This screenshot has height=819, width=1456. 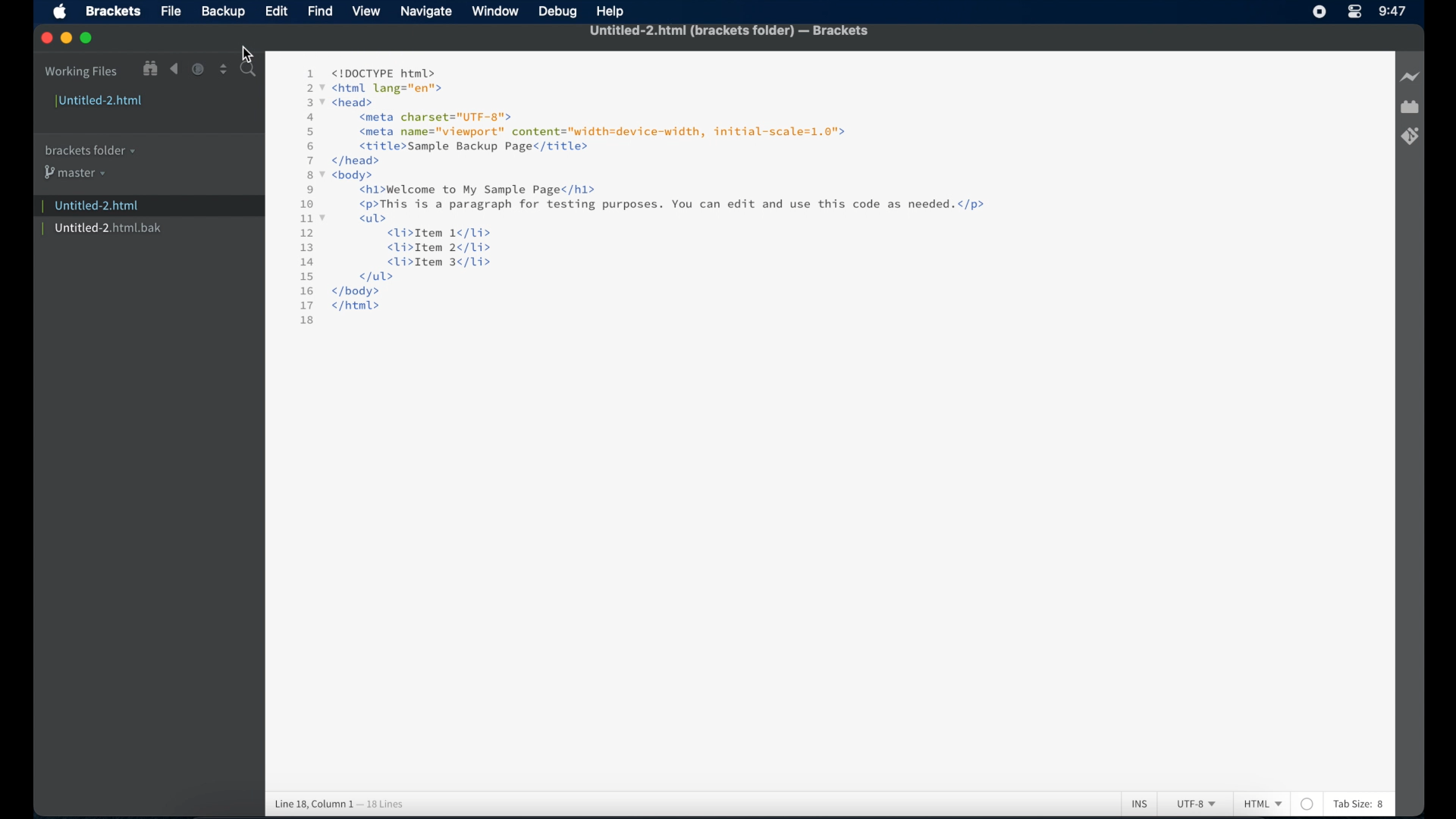 I want to click on view, so click(x=366, y=11).